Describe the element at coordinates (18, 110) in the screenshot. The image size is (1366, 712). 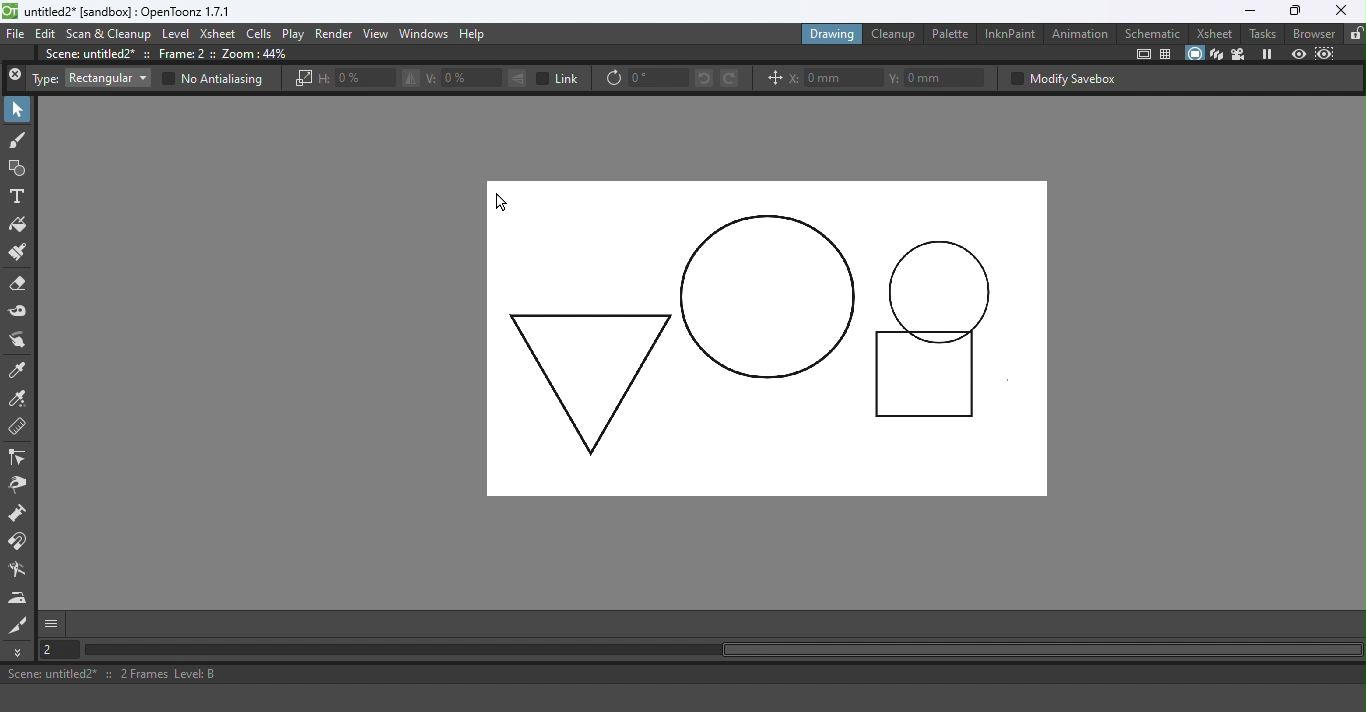
I see `Selection tool` at that location.